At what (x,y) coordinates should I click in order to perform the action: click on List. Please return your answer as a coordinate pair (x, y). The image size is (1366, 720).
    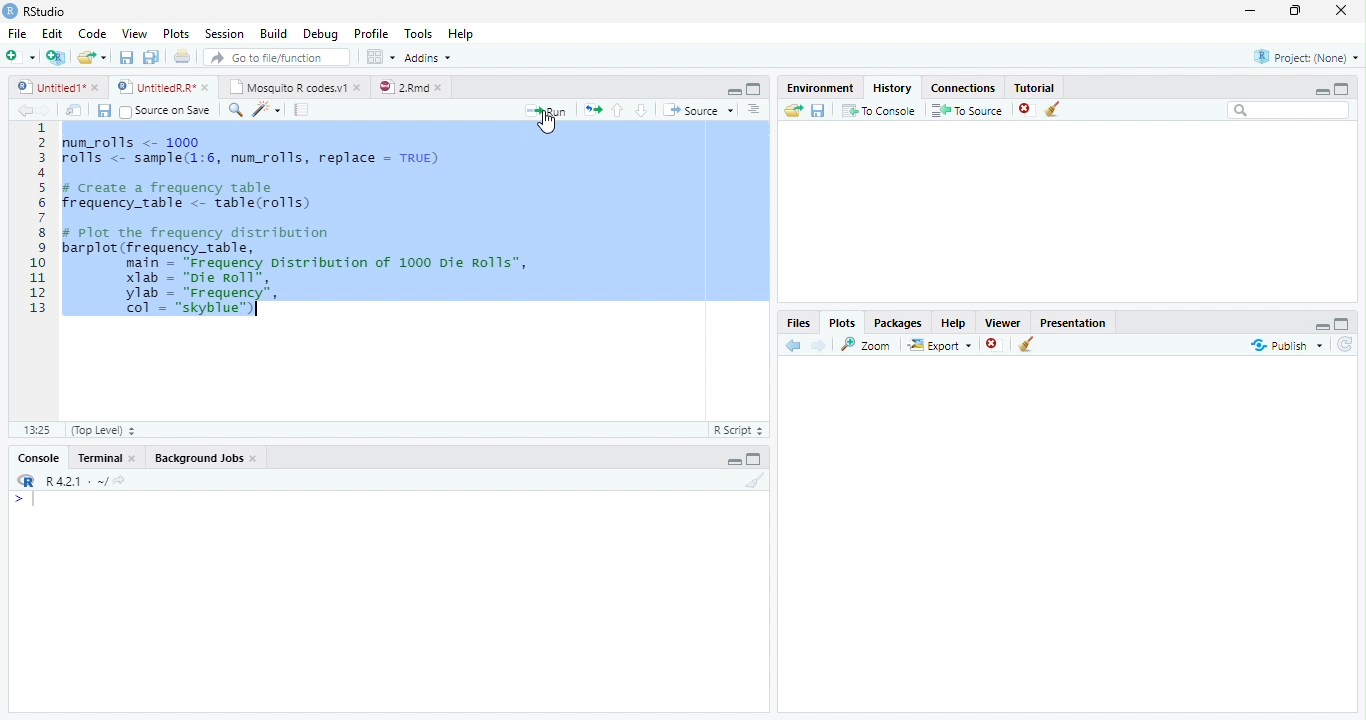
    Looking at the image, I should click on (756, 111).